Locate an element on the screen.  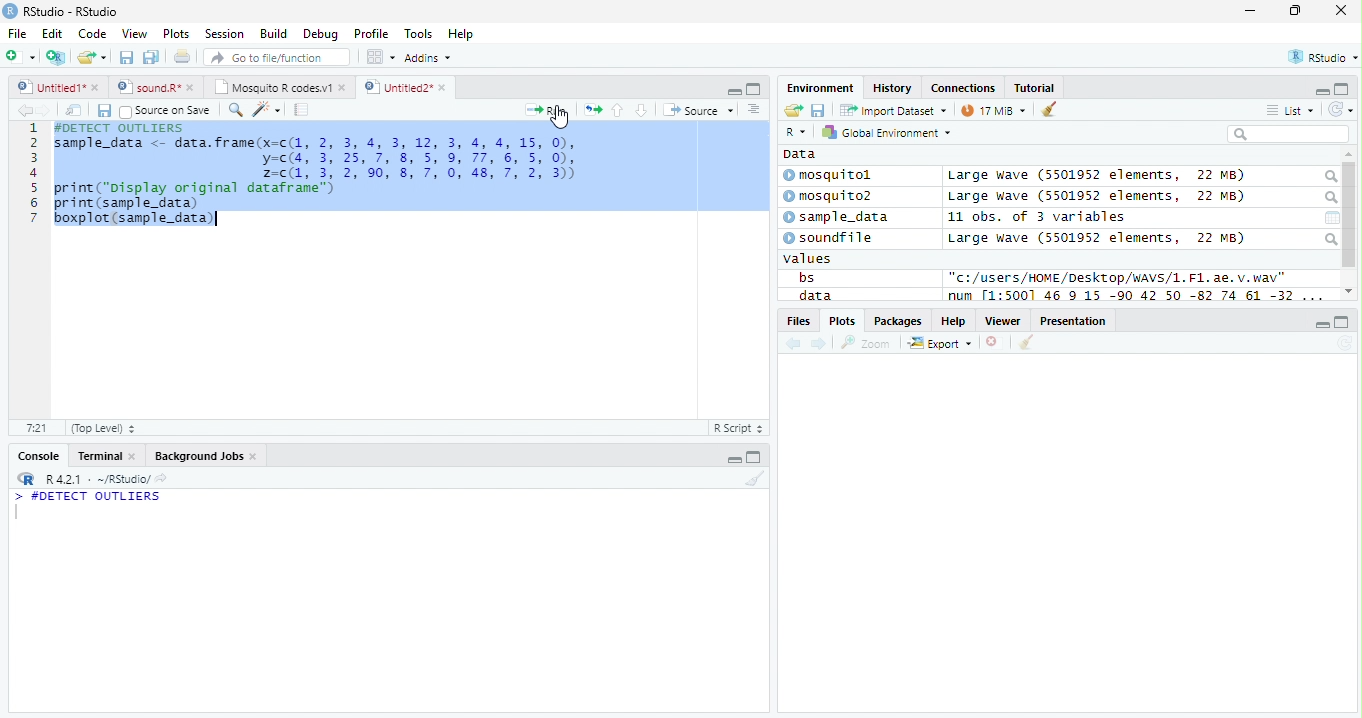
open an existing file is located at coordinates (92, 57).